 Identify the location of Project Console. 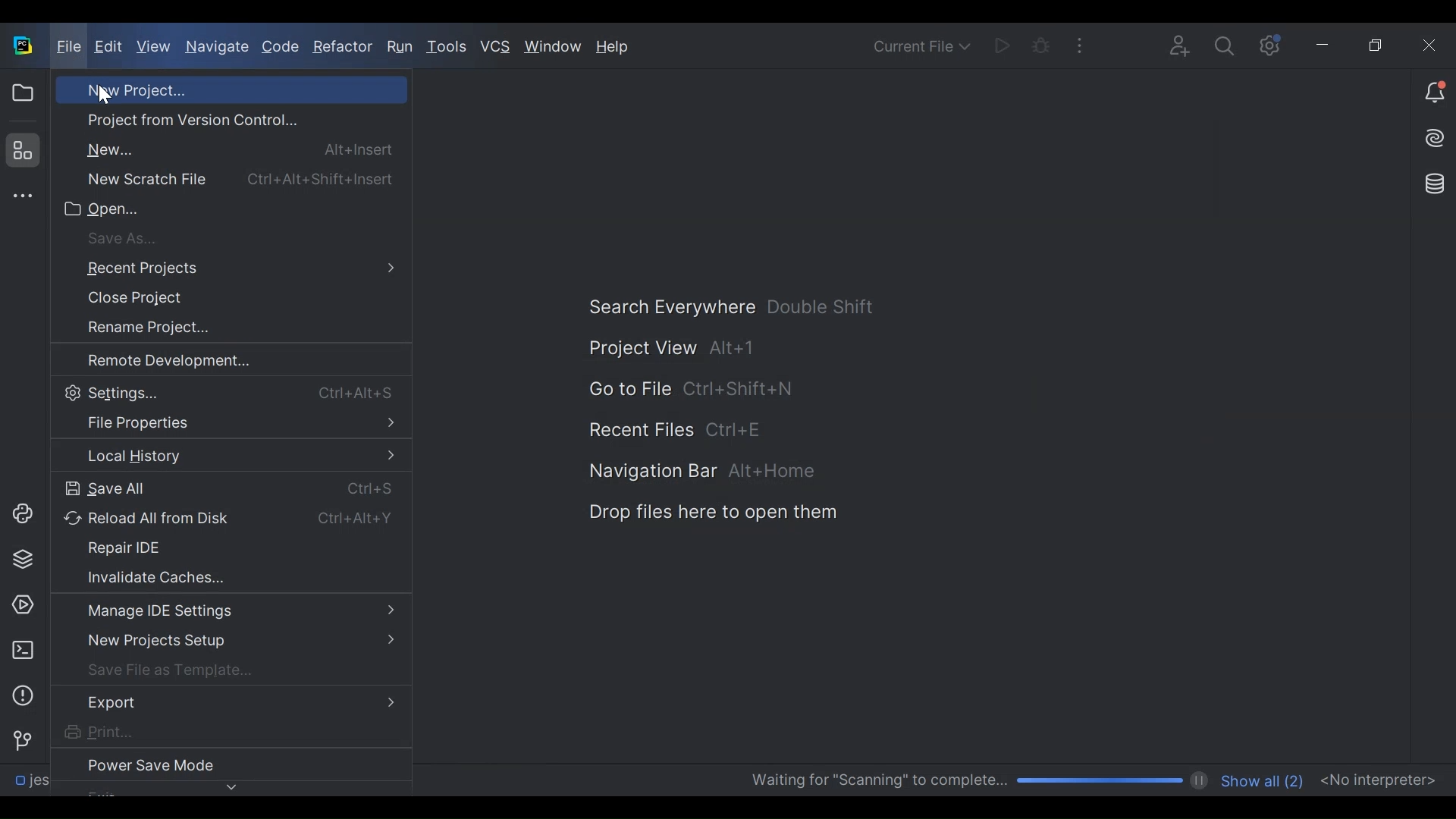
(20, 514).